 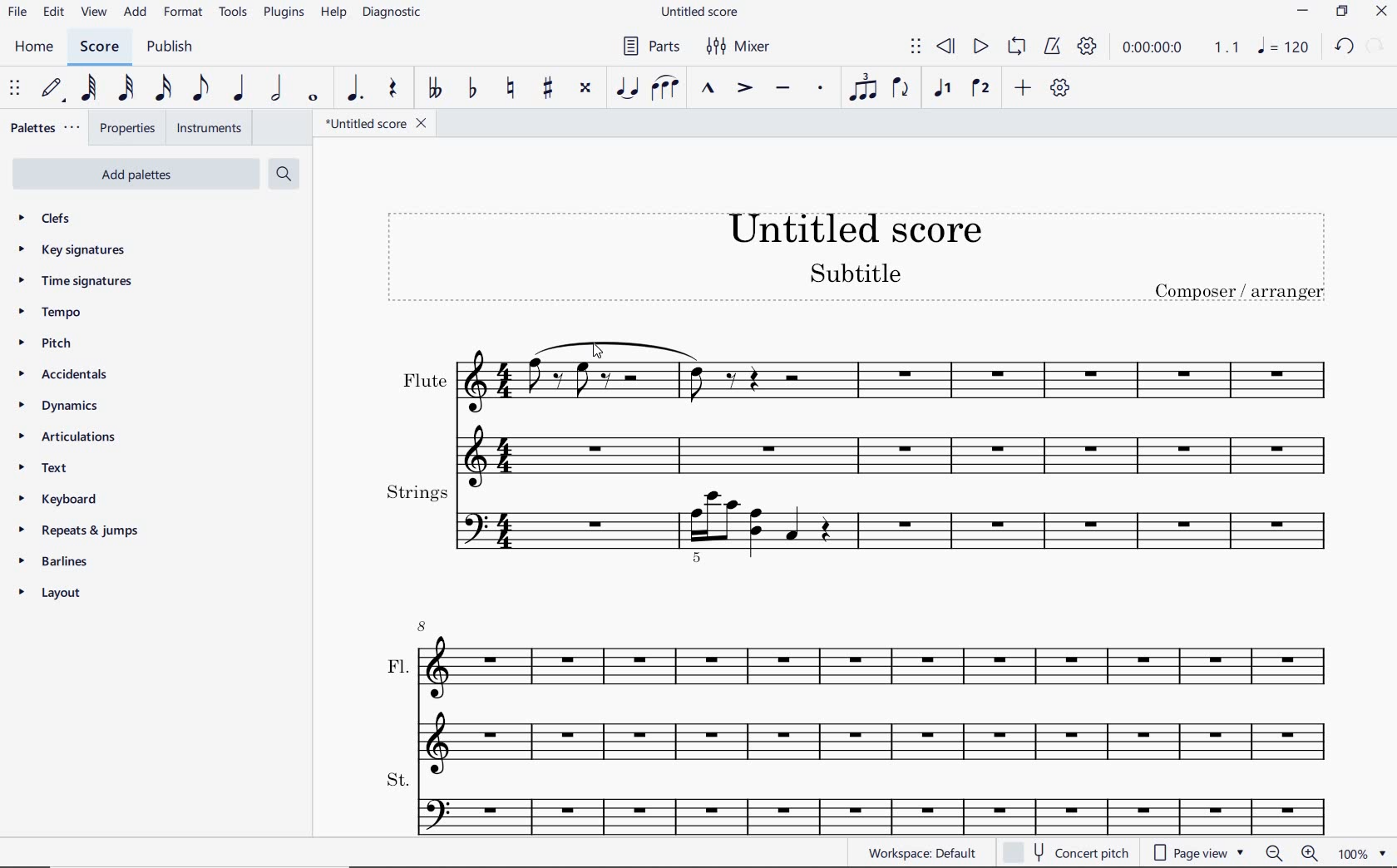 What do you see at coordinates (202, 87) in the screenshot?
I see `EIGHTH NOTE` at bounding box center [202, 87].